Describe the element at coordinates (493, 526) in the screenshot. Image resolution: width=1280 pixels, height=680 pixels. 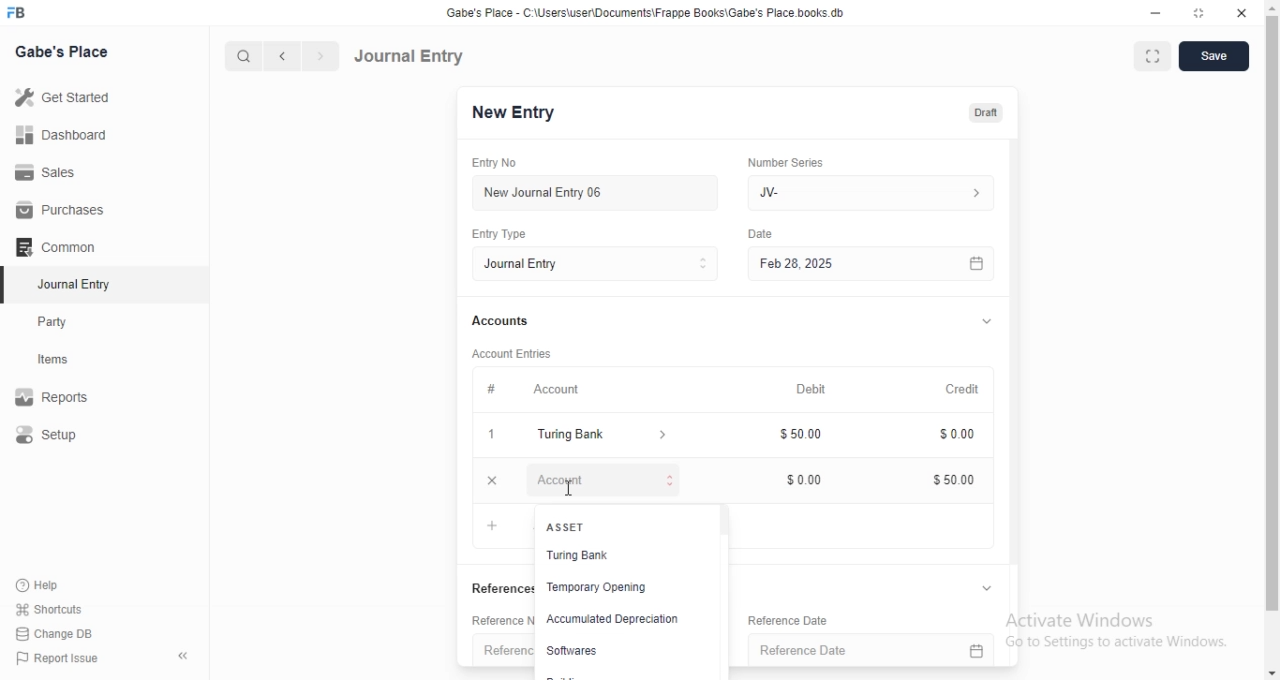
I see `add row` at that location.